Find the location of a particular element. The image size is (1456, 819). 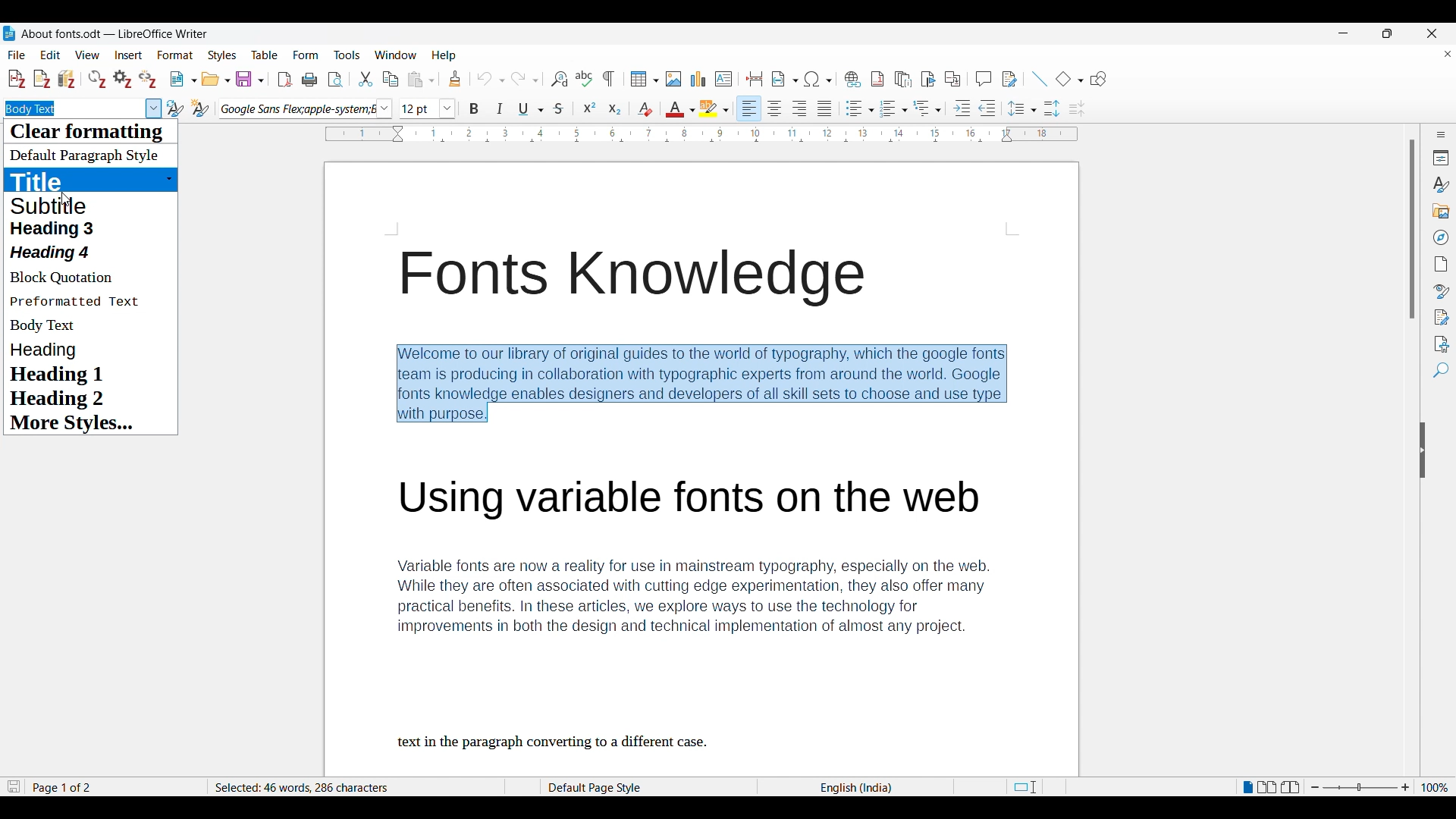

Bold is located at coordinates (474, 108).